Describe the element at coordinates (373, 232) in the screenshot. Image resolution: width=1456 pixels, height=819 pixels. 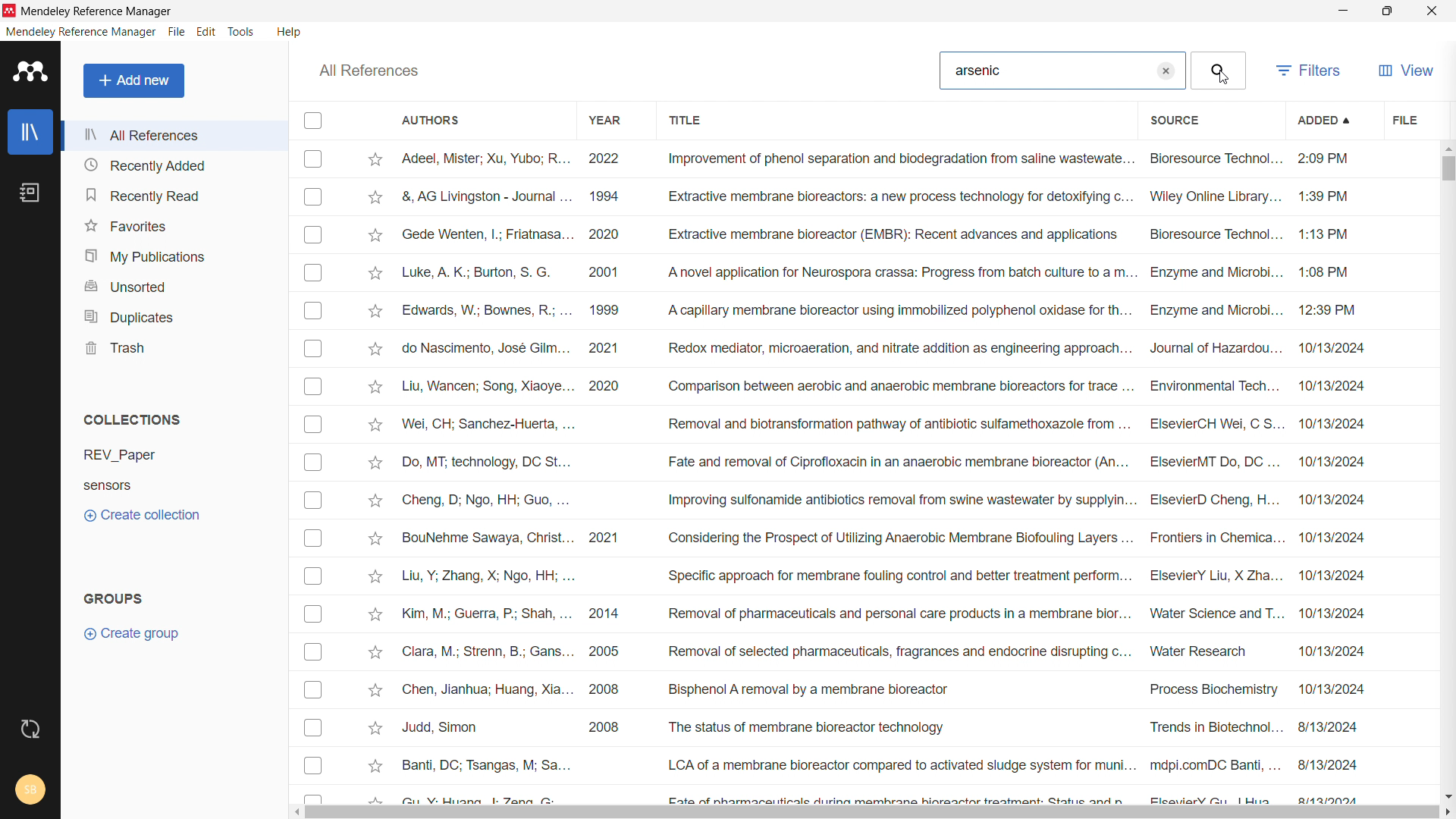
I see `Add to favorites` at that location.